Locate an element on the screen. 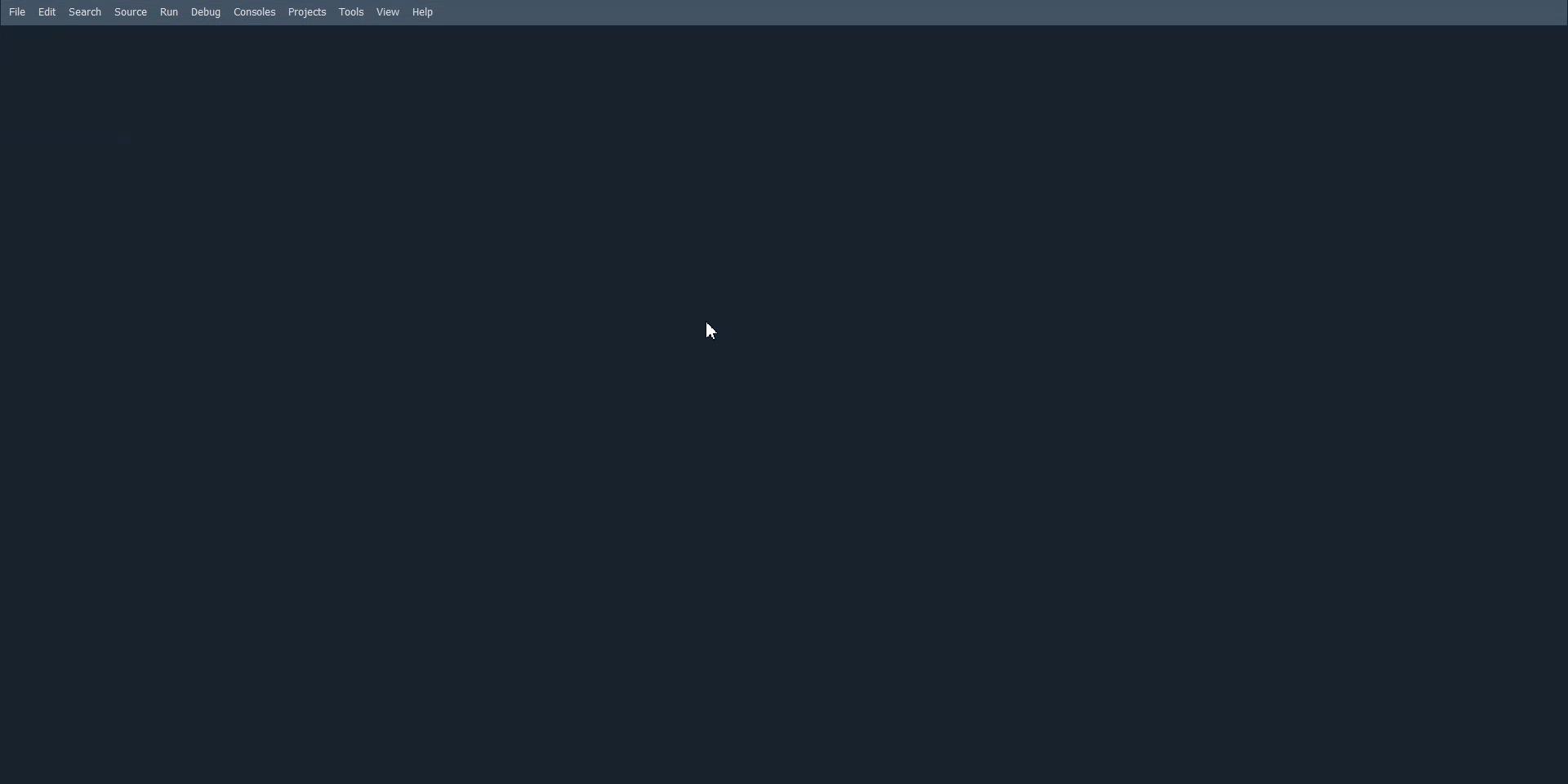  Source is located at coordinates (131, 11).